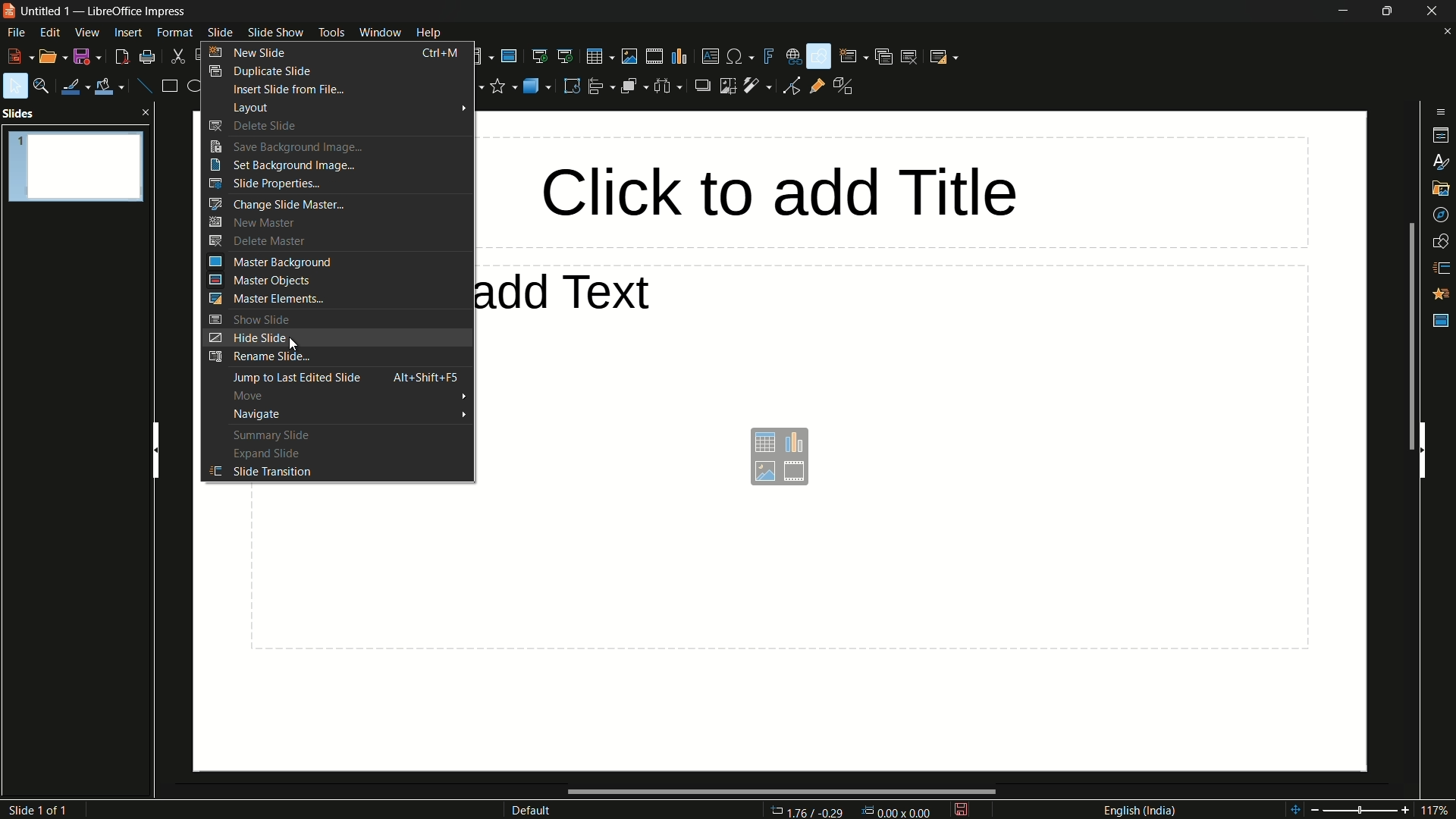 The height and width of the screenshot is (819, 1456). I want to click on slides, so click(22, 115).